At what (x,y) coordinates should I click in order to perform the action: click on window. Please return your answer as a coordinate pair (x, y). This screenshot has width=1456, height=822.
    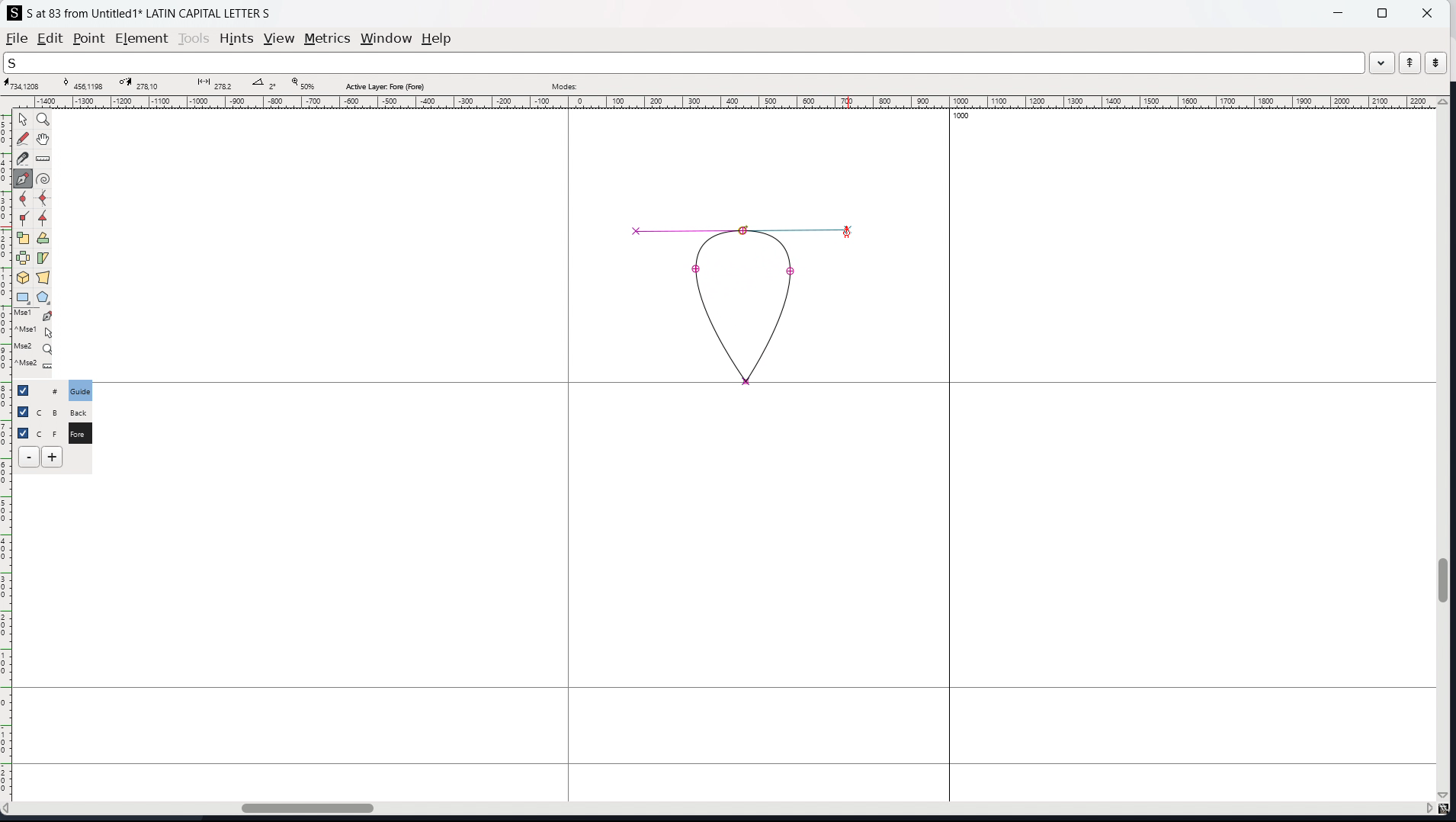
    Looking at the image, I should click on (386, 39).